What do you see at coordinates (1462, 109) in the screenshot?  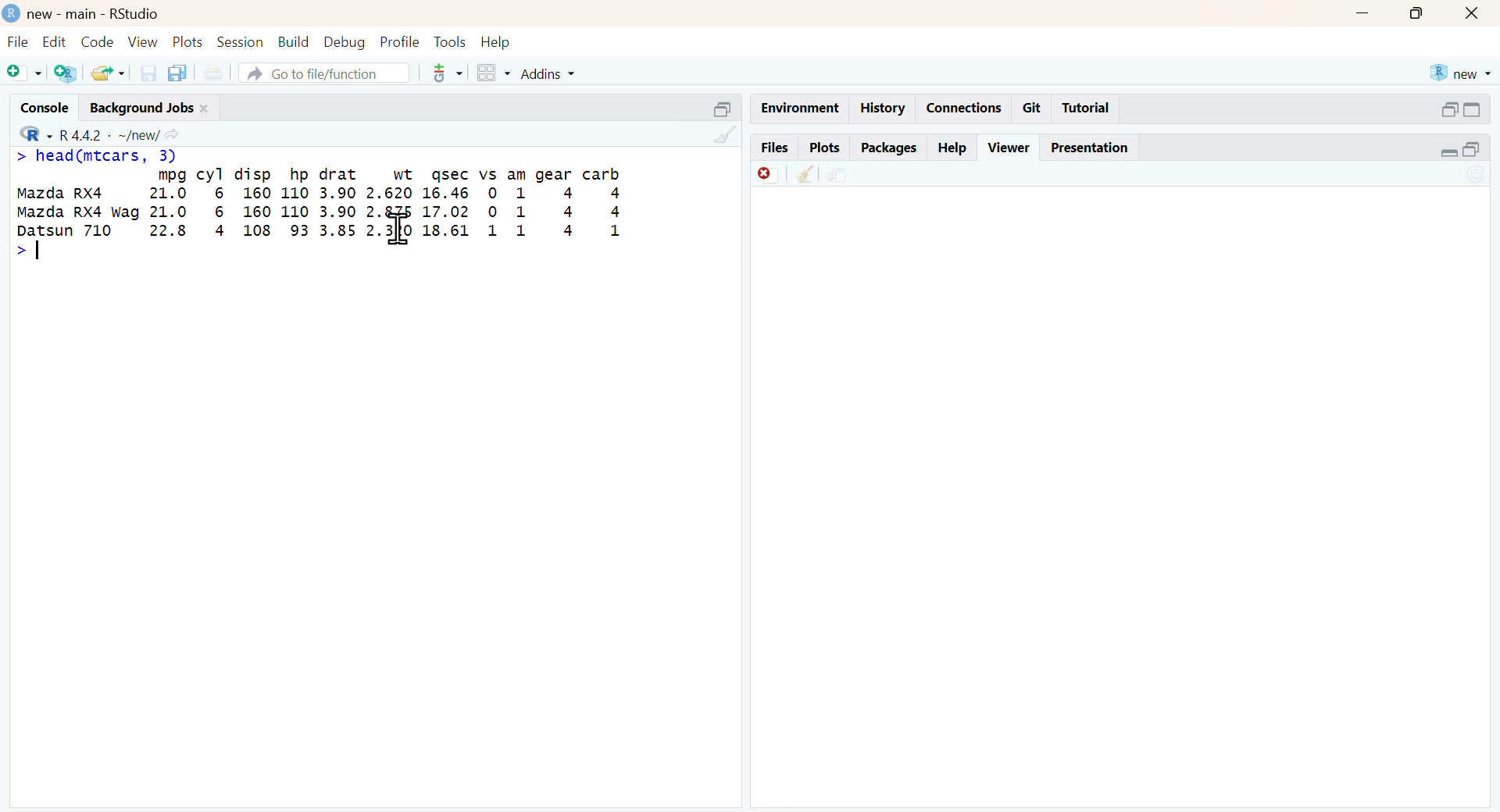 I see `minimize/maximize` at bounding box center [1462, 109].